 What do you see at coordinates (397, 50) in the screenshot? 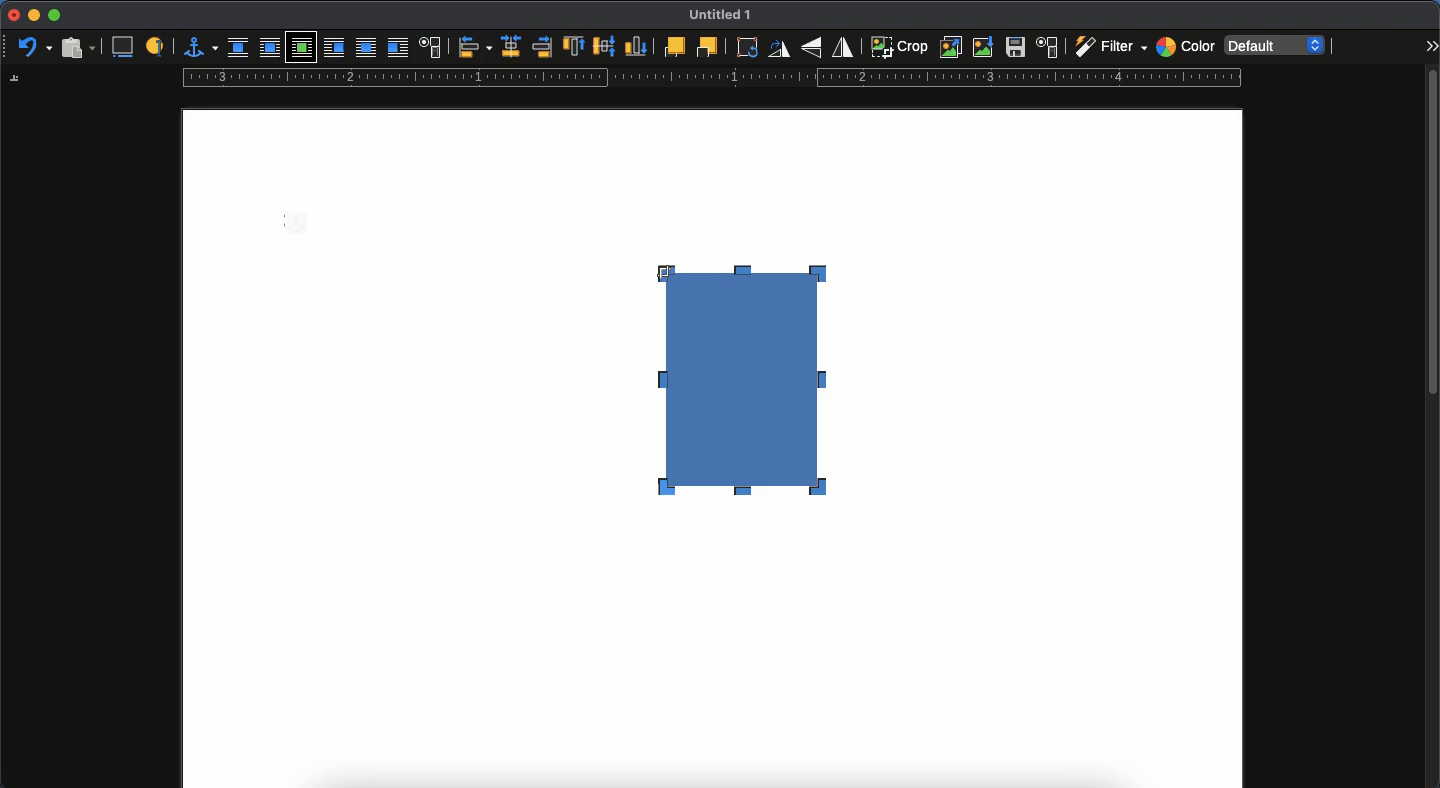
I see `after` at bounding box center [397, 50].